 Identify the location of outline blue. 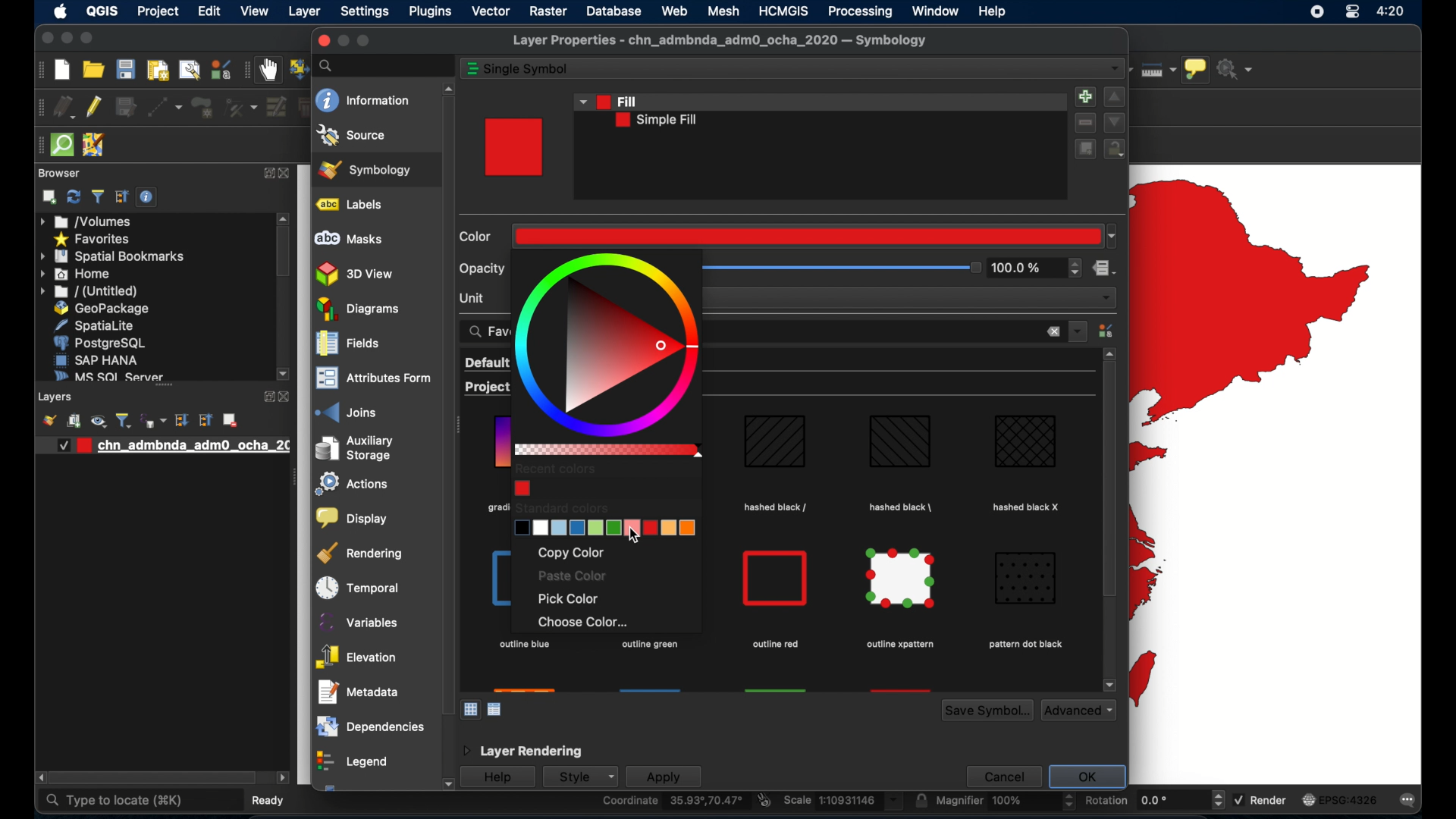
(524, 645).